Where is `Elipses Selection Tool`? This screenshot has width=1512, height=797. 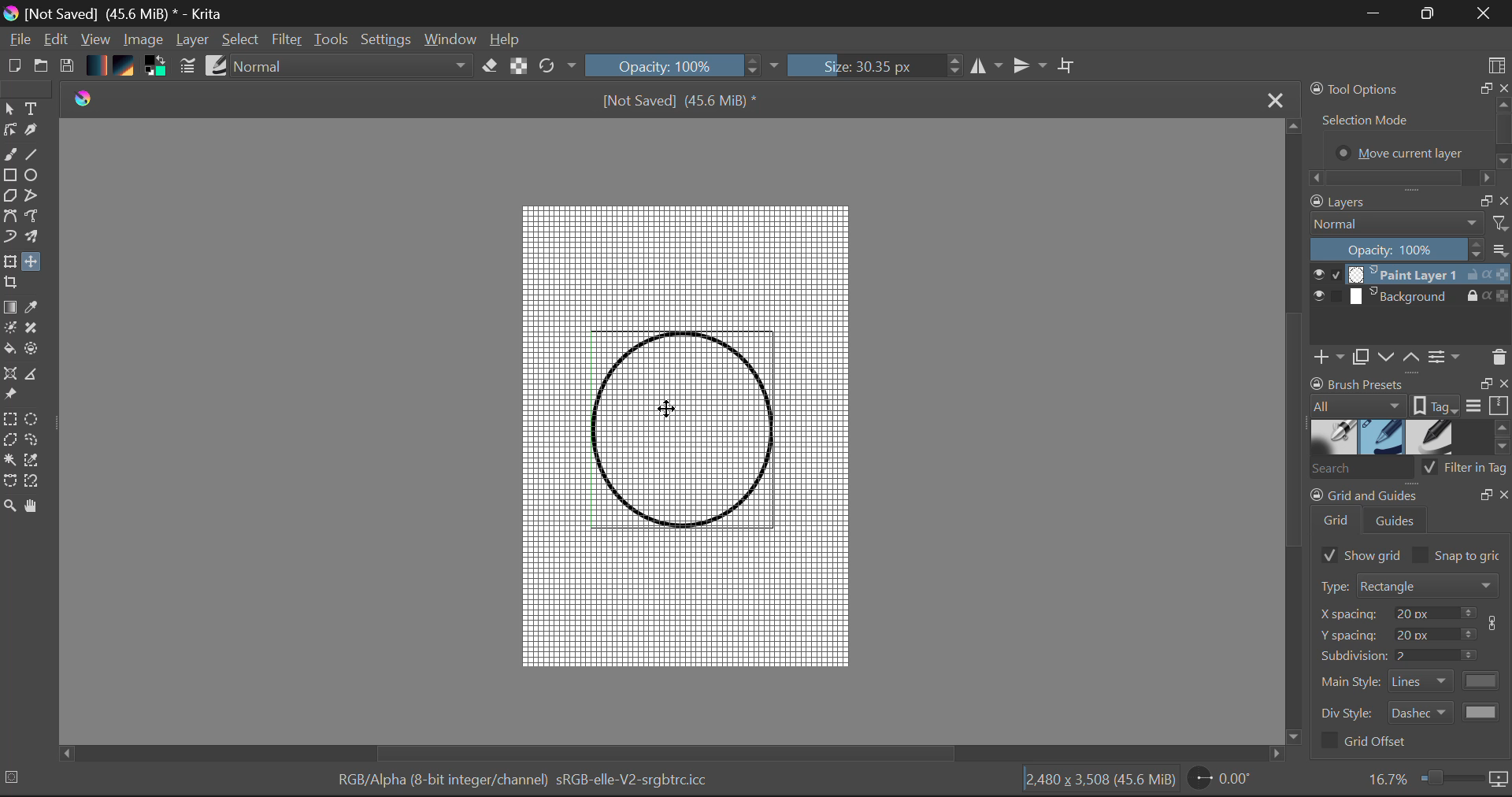
Elipses Selection Tool is located at coordinates (34, 418).